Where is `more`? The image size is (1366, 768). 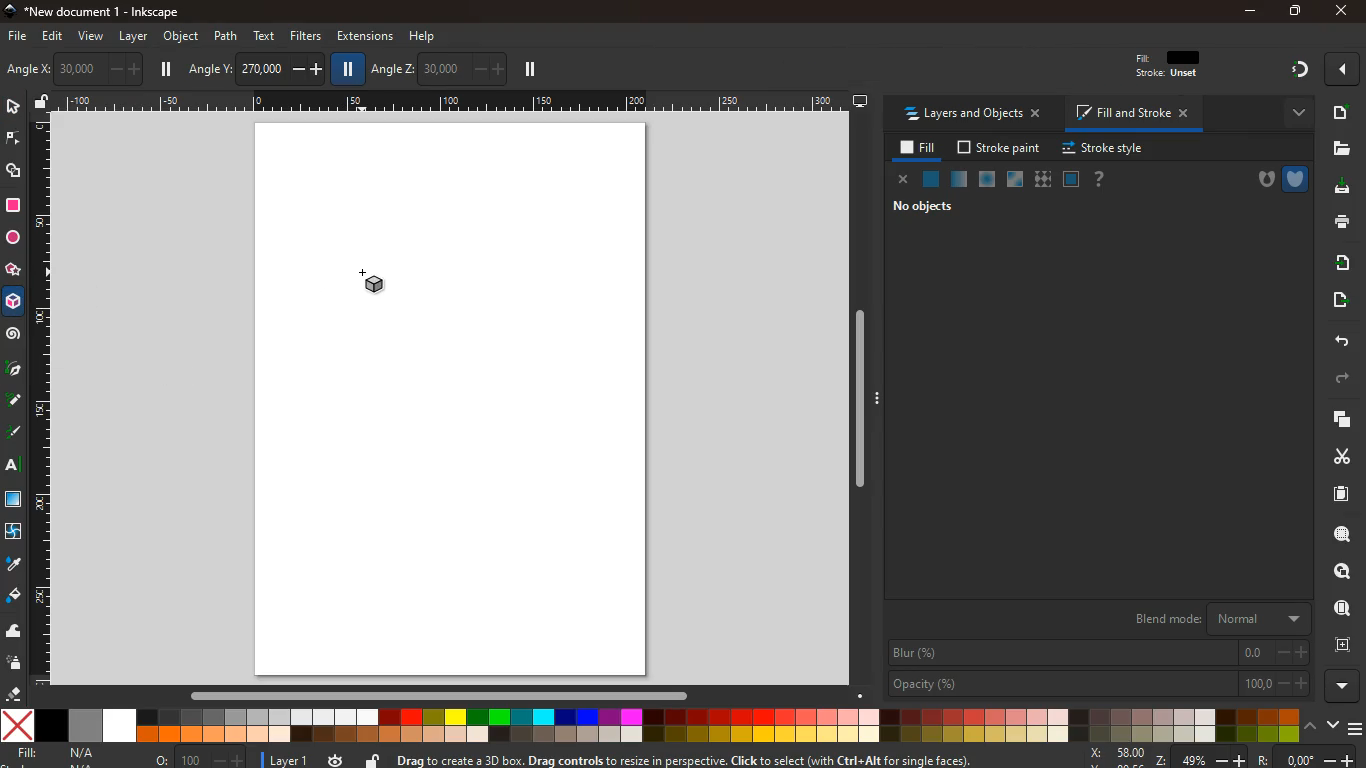 more is located at coordinates (1293, 112).